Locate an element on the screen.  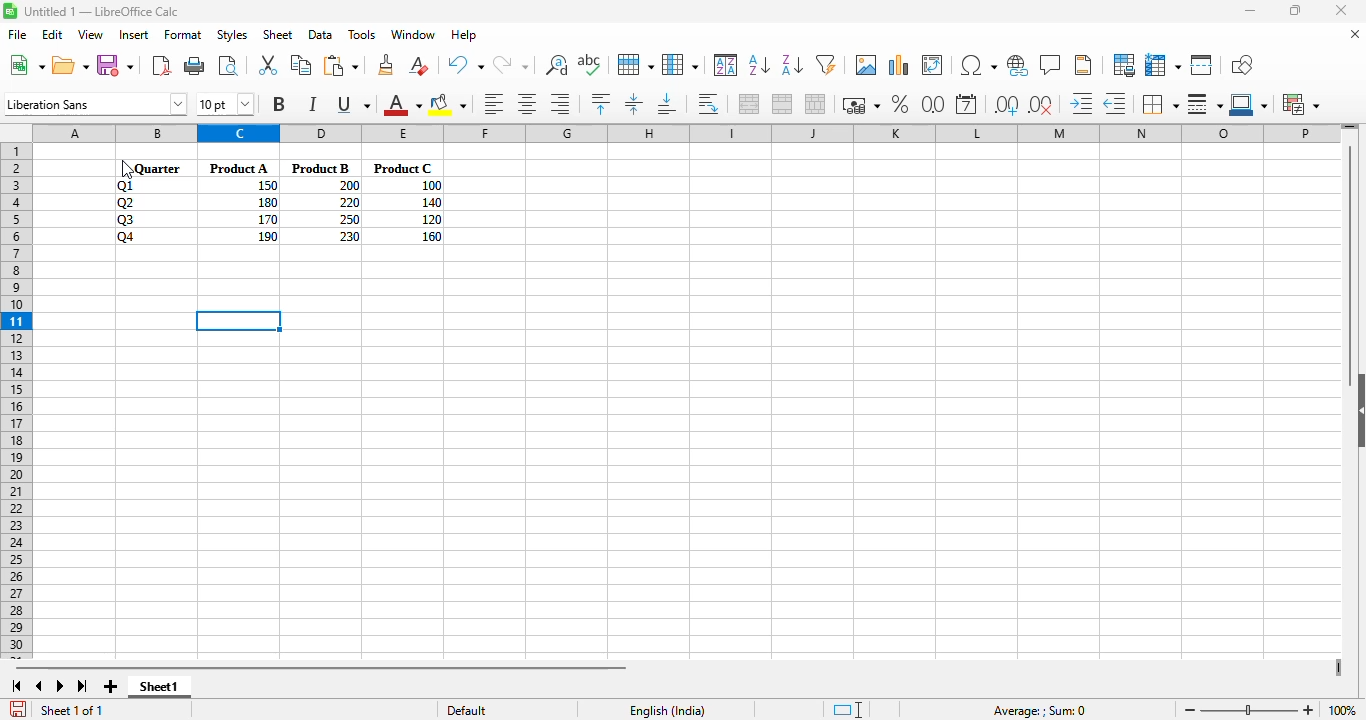
insert hyperlink is located at coordinates (1018, 66).